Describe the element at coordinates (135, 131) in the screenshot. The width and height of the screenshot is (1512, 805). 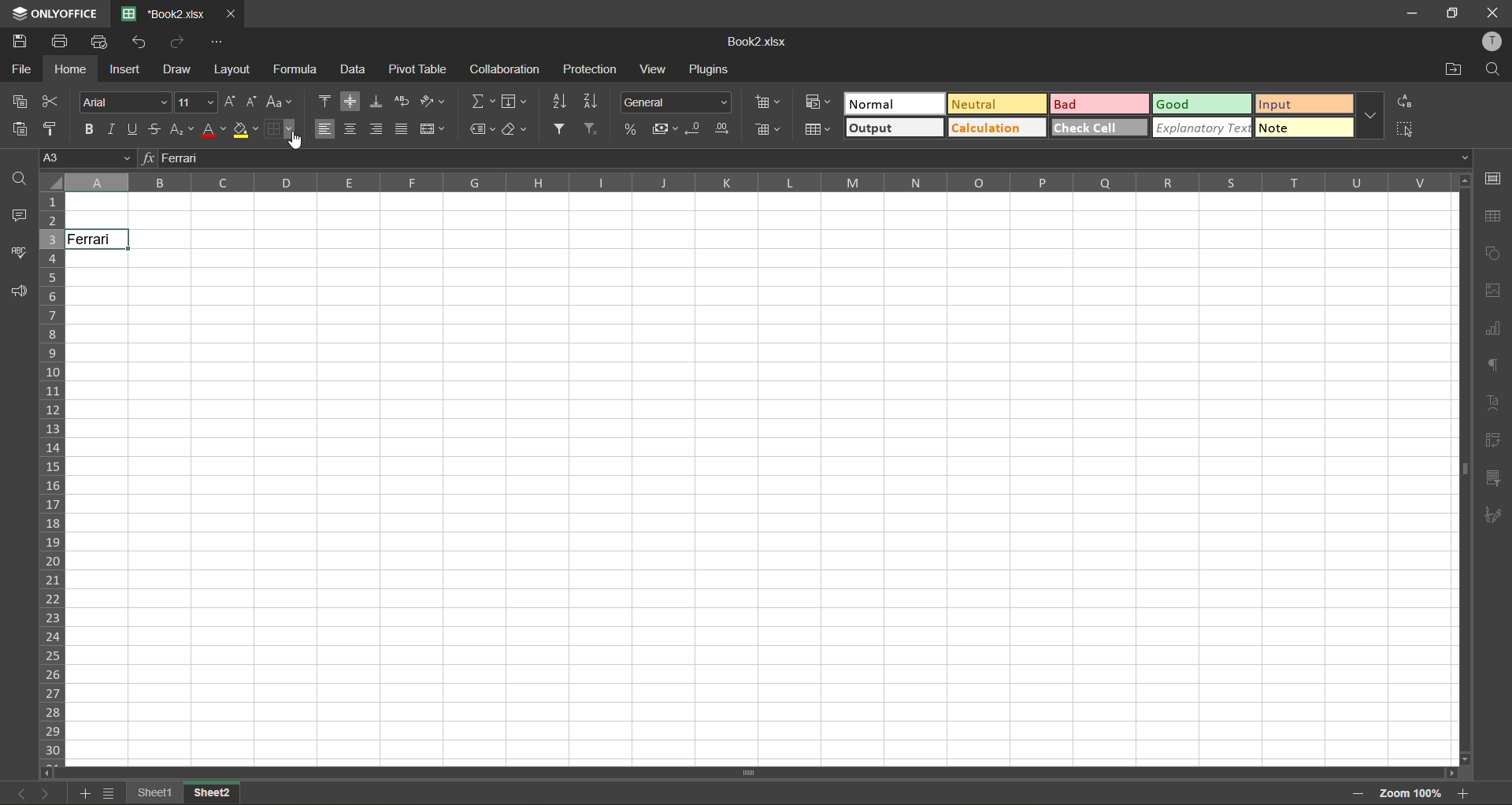
I see `underline` at that location.